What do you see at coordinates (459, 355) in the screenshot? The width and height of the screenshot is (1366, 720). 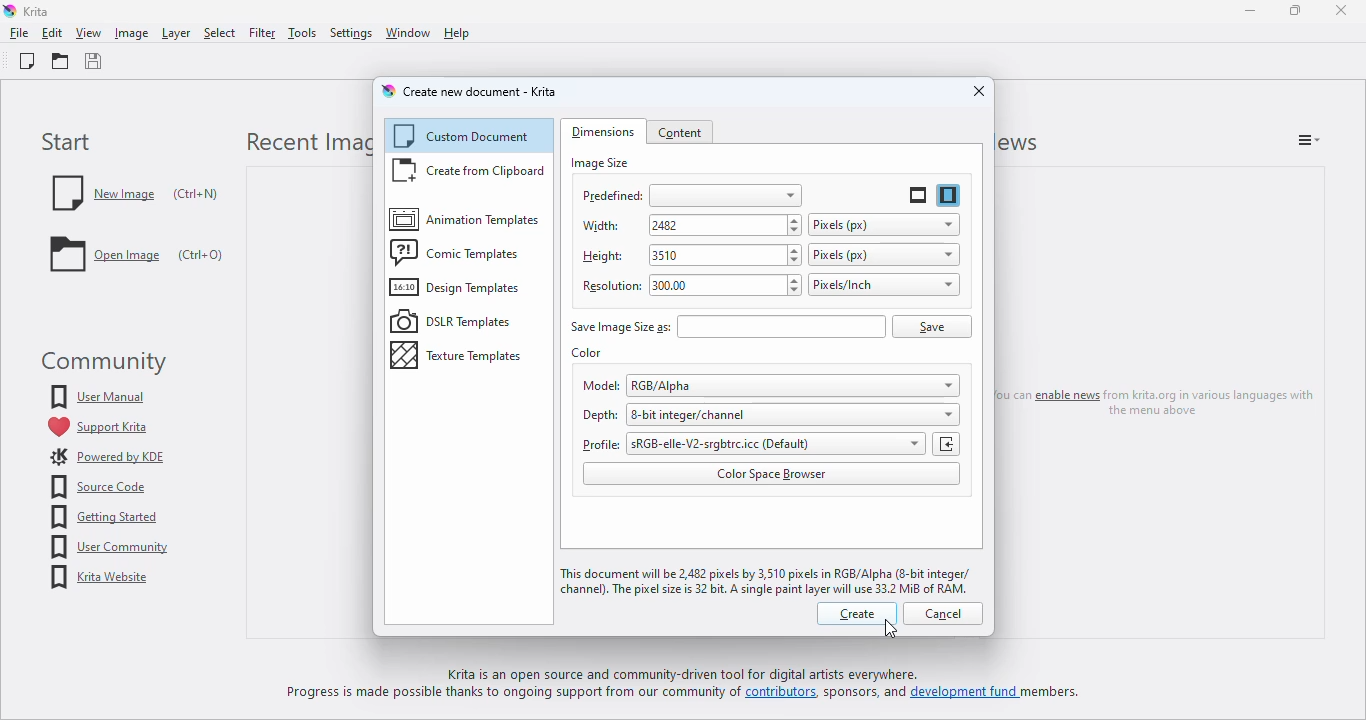 I see `texture templates` at bounding box center [459, 355].